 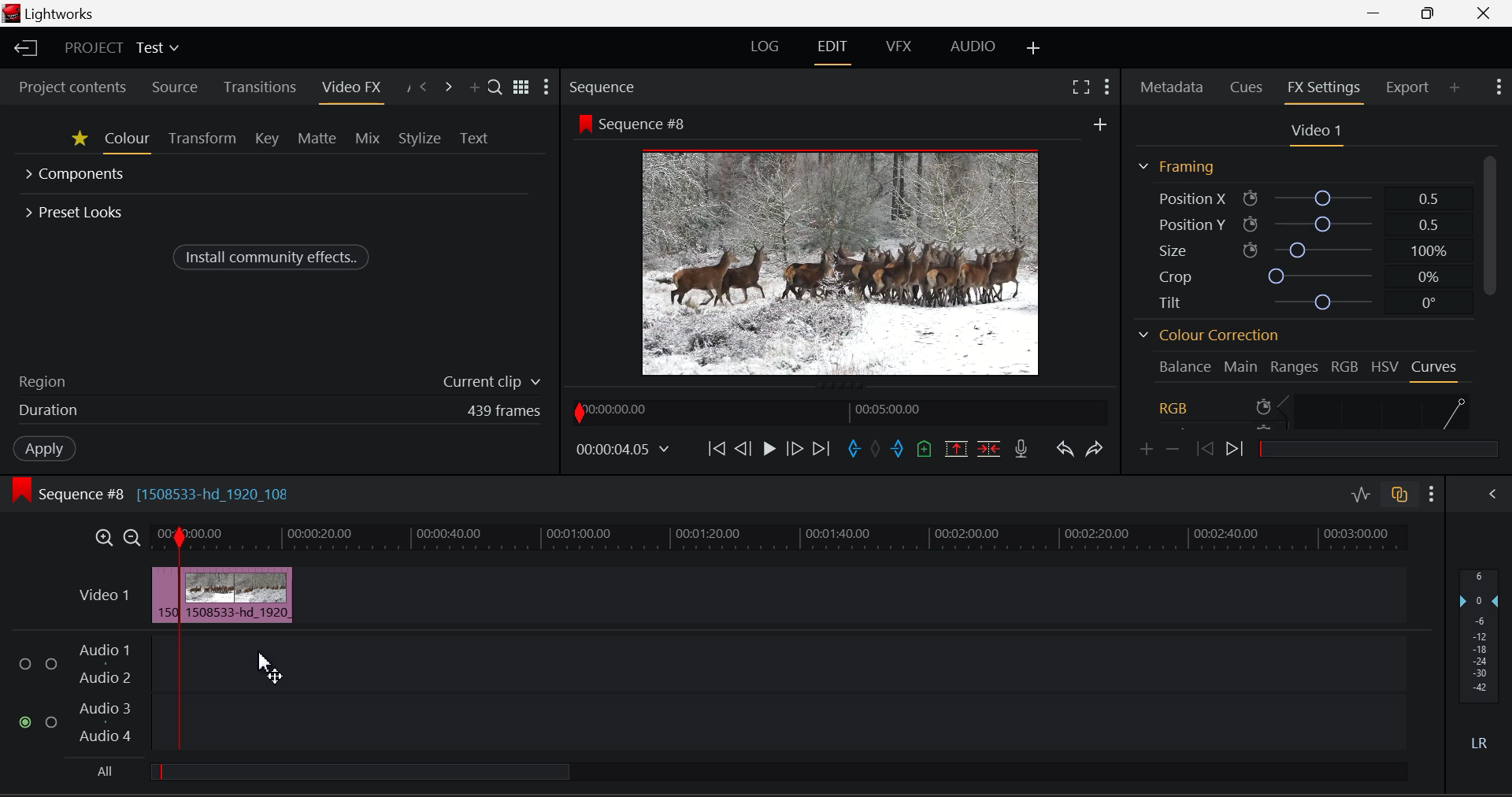 What do you see at coordinates (246, 639) in the screenshot?
I see `Second Clip Cut Point` at bounding box center [246, 639].